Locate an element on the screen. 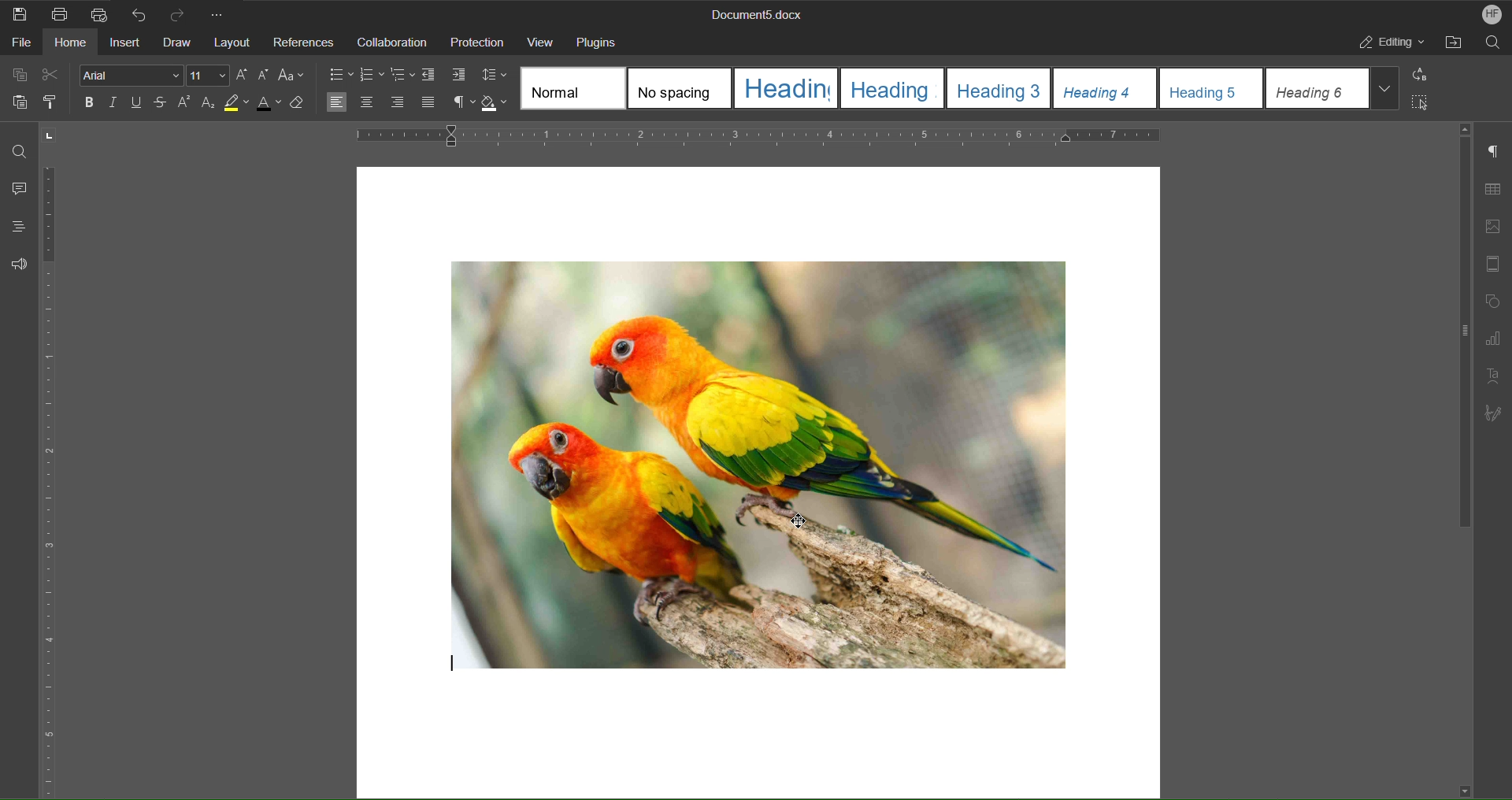 The width and height of the screenshot is (1512, 800). Text Color is located at coordinates (274, 107).